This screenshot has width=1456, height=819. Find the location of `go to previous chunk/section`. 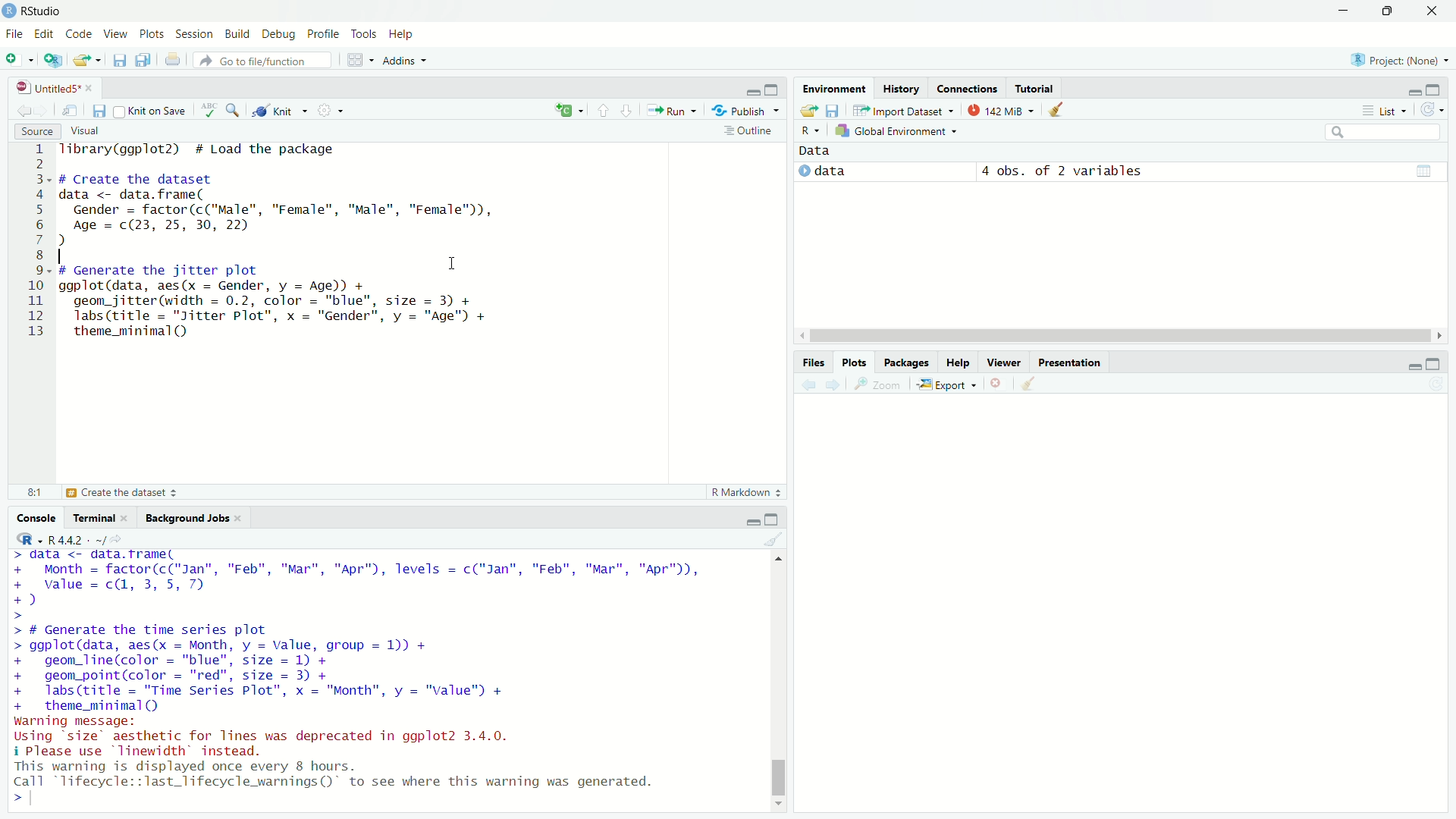

go to previous chunk/section is located at coordinates (602, 108).